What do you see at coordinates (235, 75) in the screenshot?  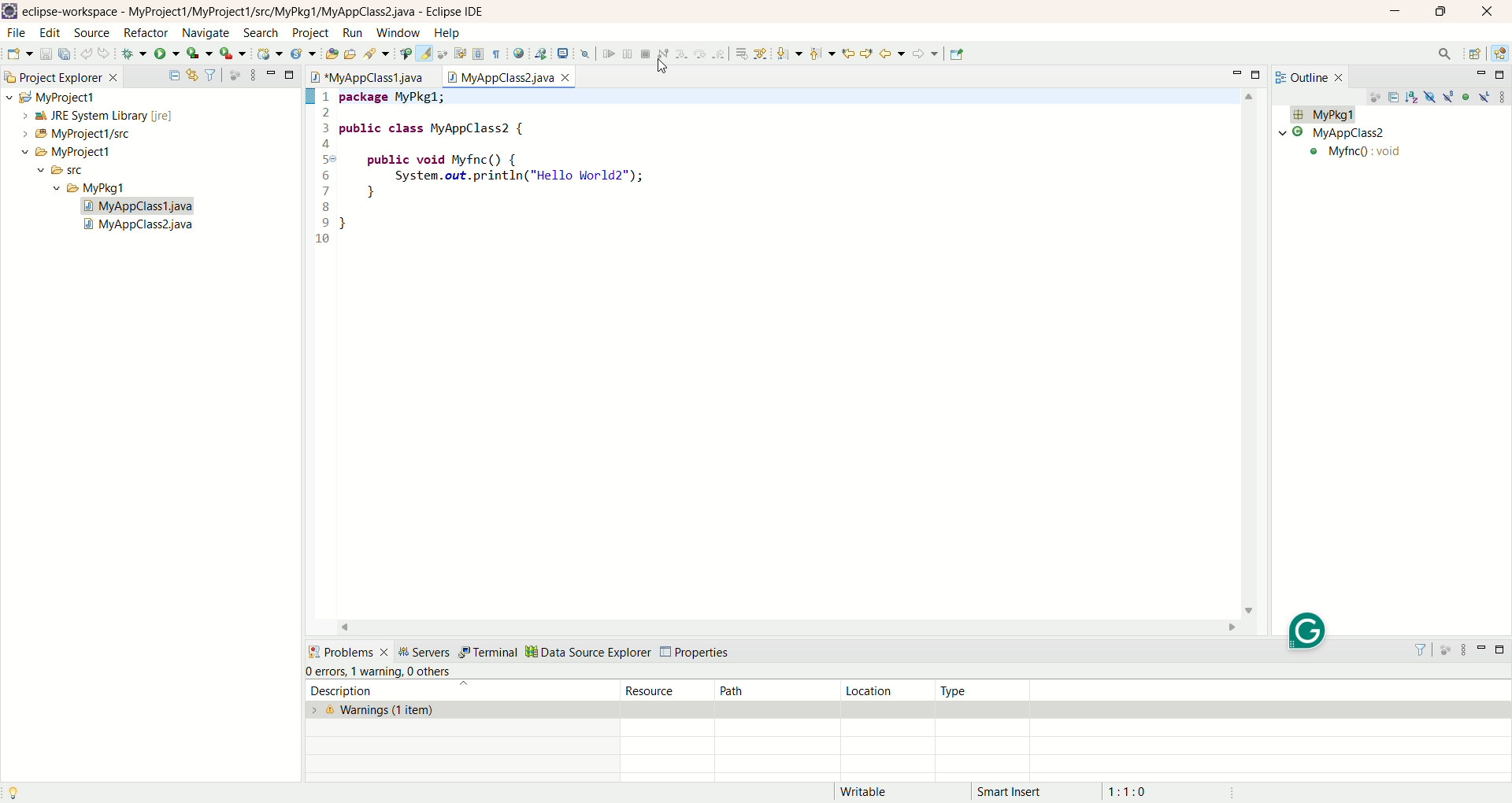 I see `focus on active task` at bounding box center [235, 75].